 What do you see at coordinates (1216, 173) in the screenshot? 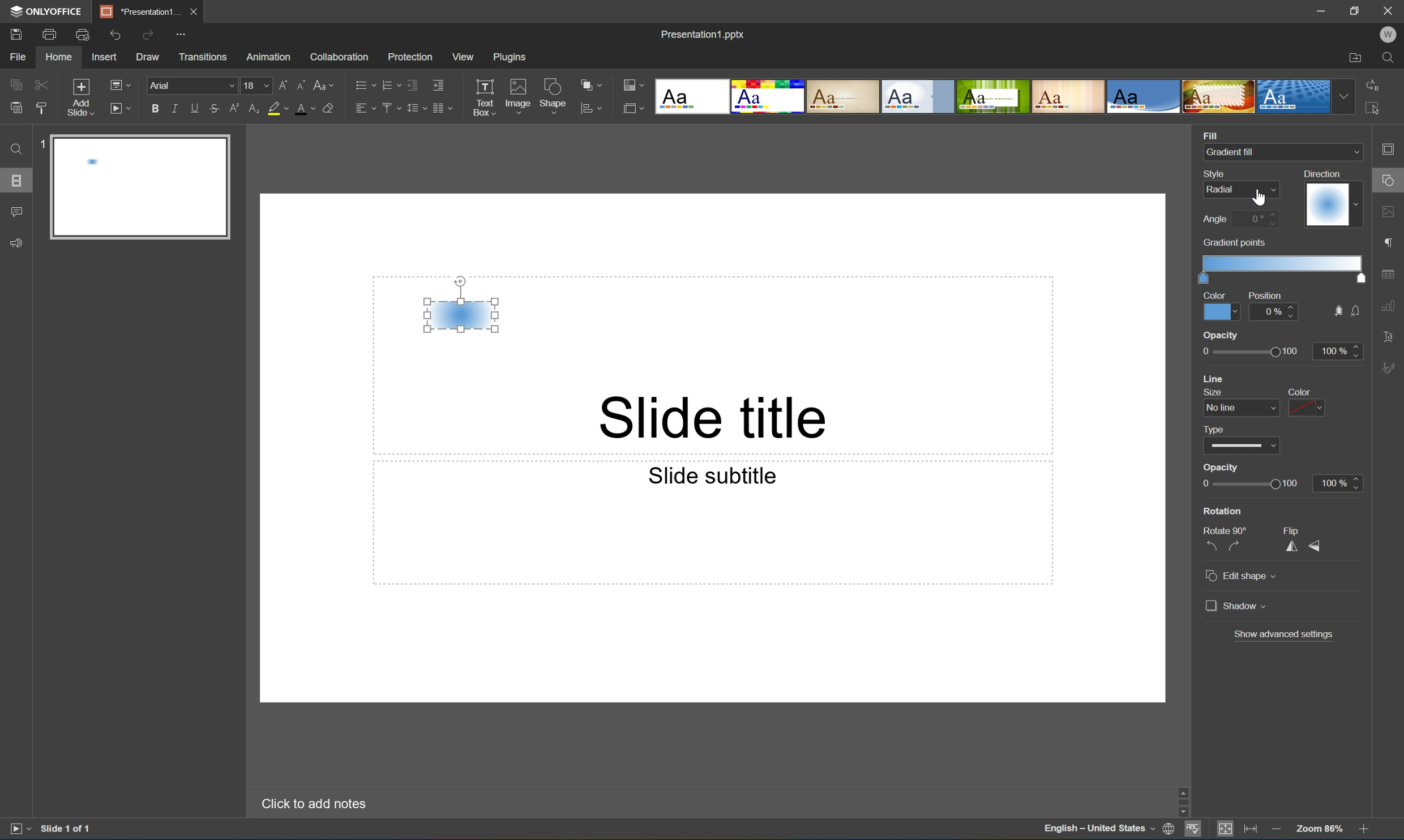
I see `Style` at bounding box center [1216, 173].